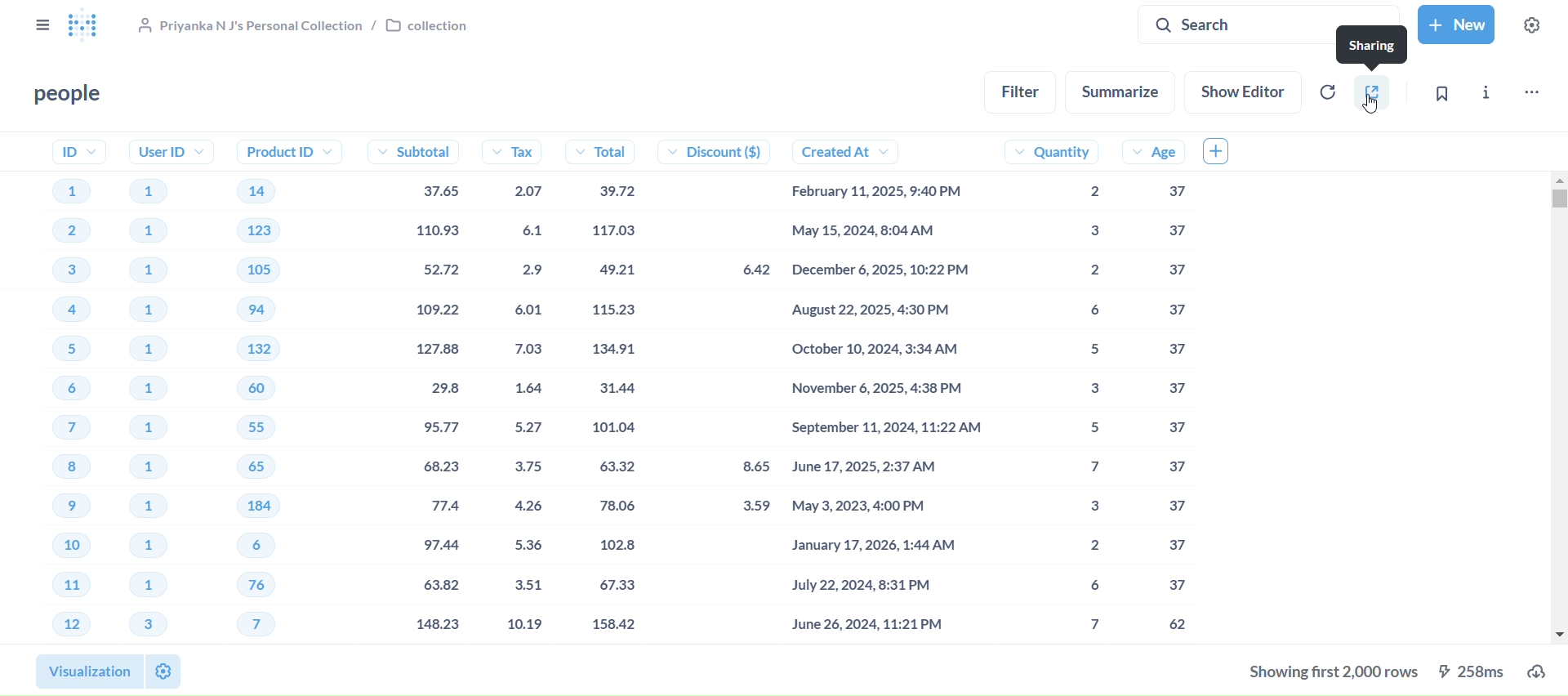  I want to click on visualization, so click(87, 671).